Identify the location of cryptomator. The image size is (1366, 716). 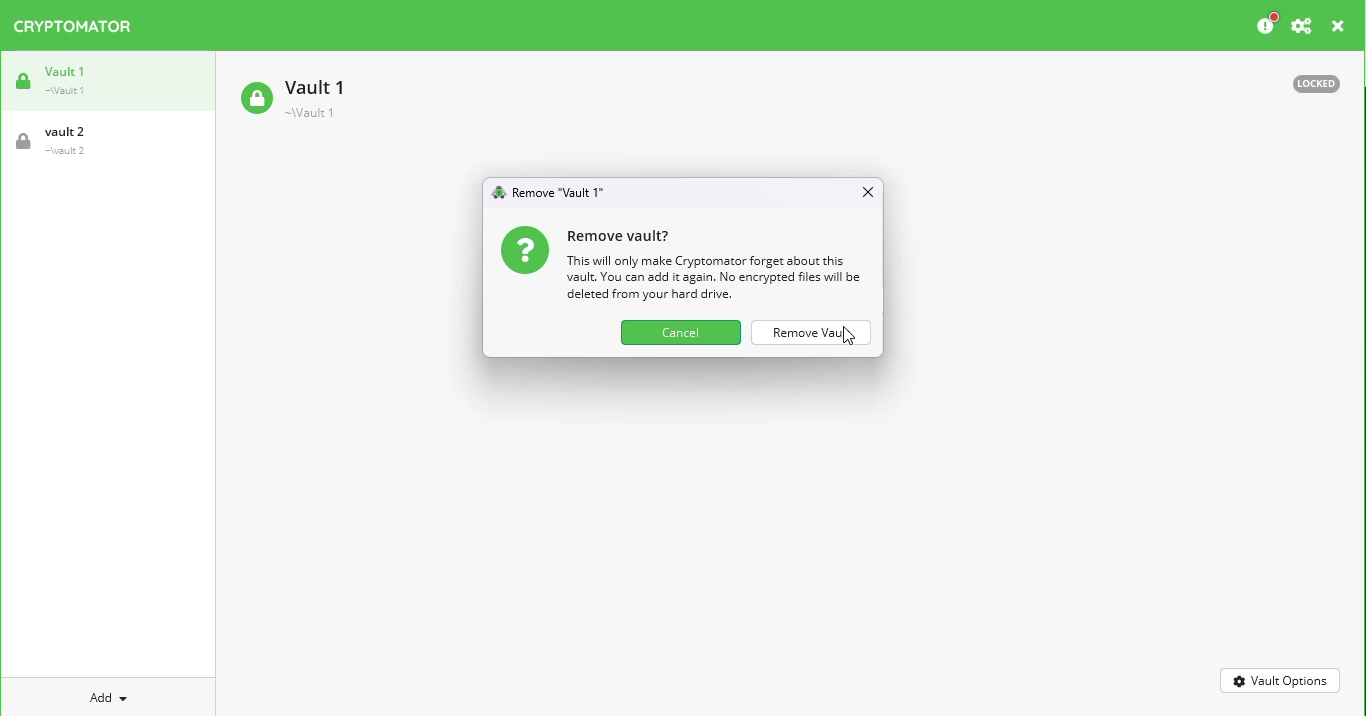
(74, 26).